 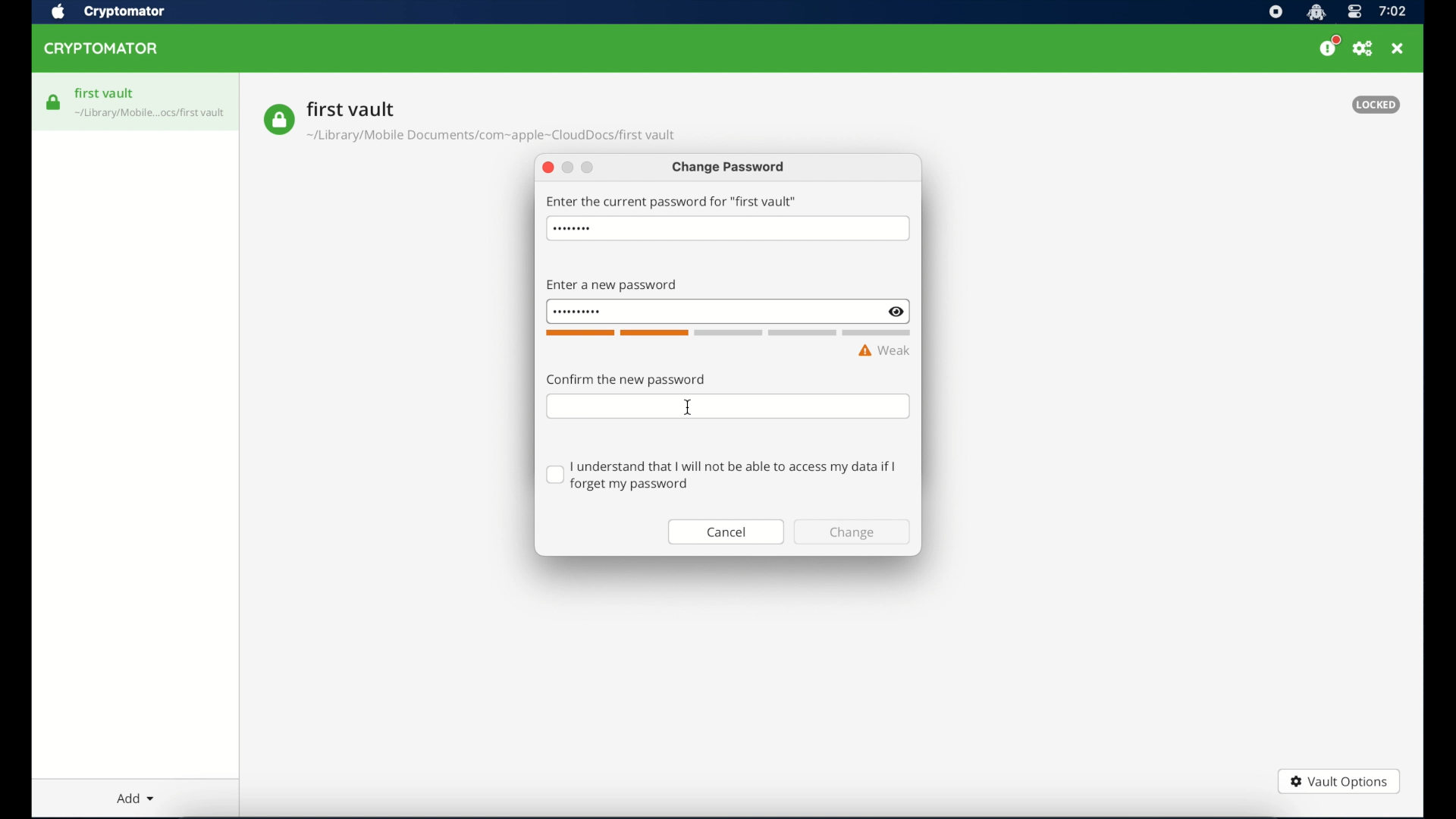 I want to click on time, so click(x=1392, y=12).